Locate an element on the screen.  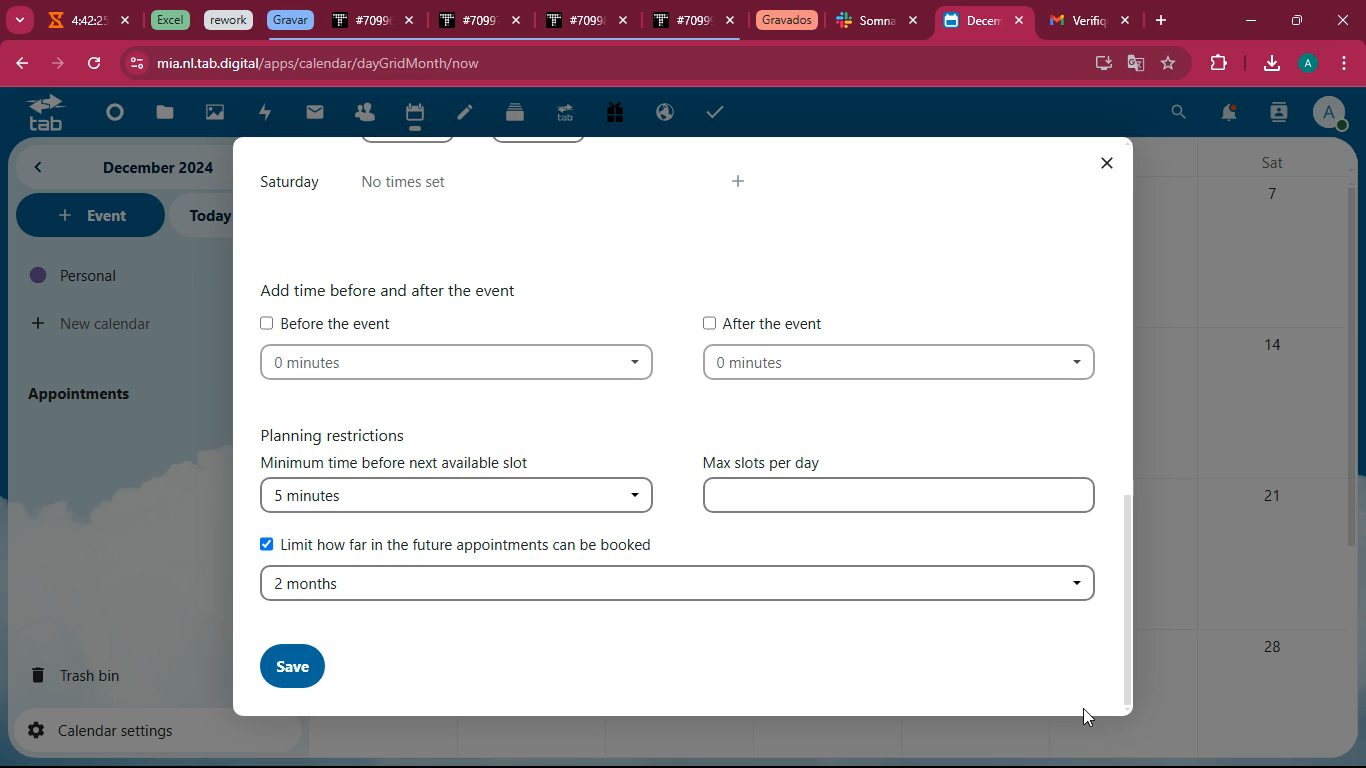
aturday is located at coordinates (289, 183).